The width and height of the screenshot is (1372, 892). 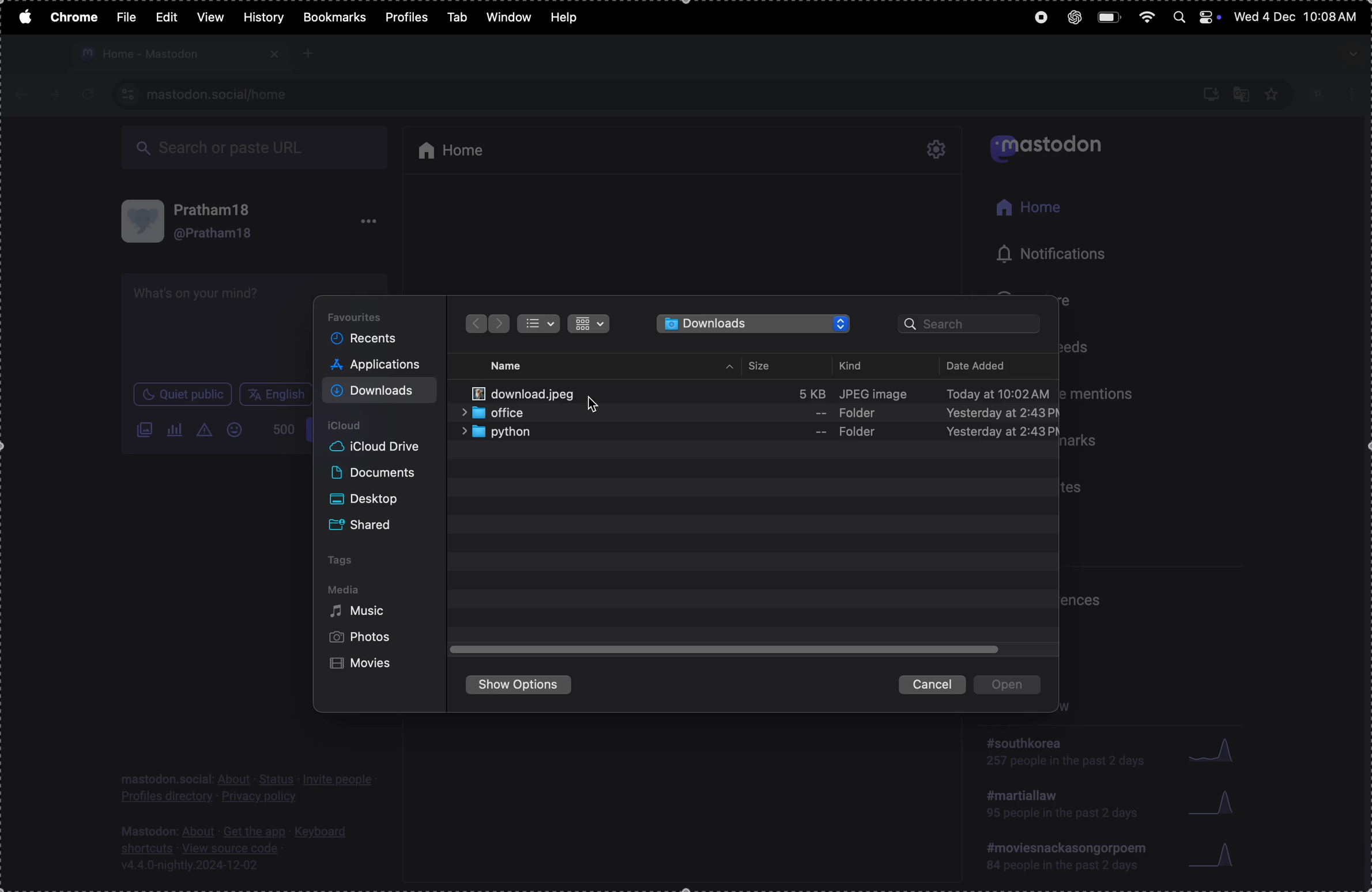 I want to click on textbox, so click(x=217, y=328).